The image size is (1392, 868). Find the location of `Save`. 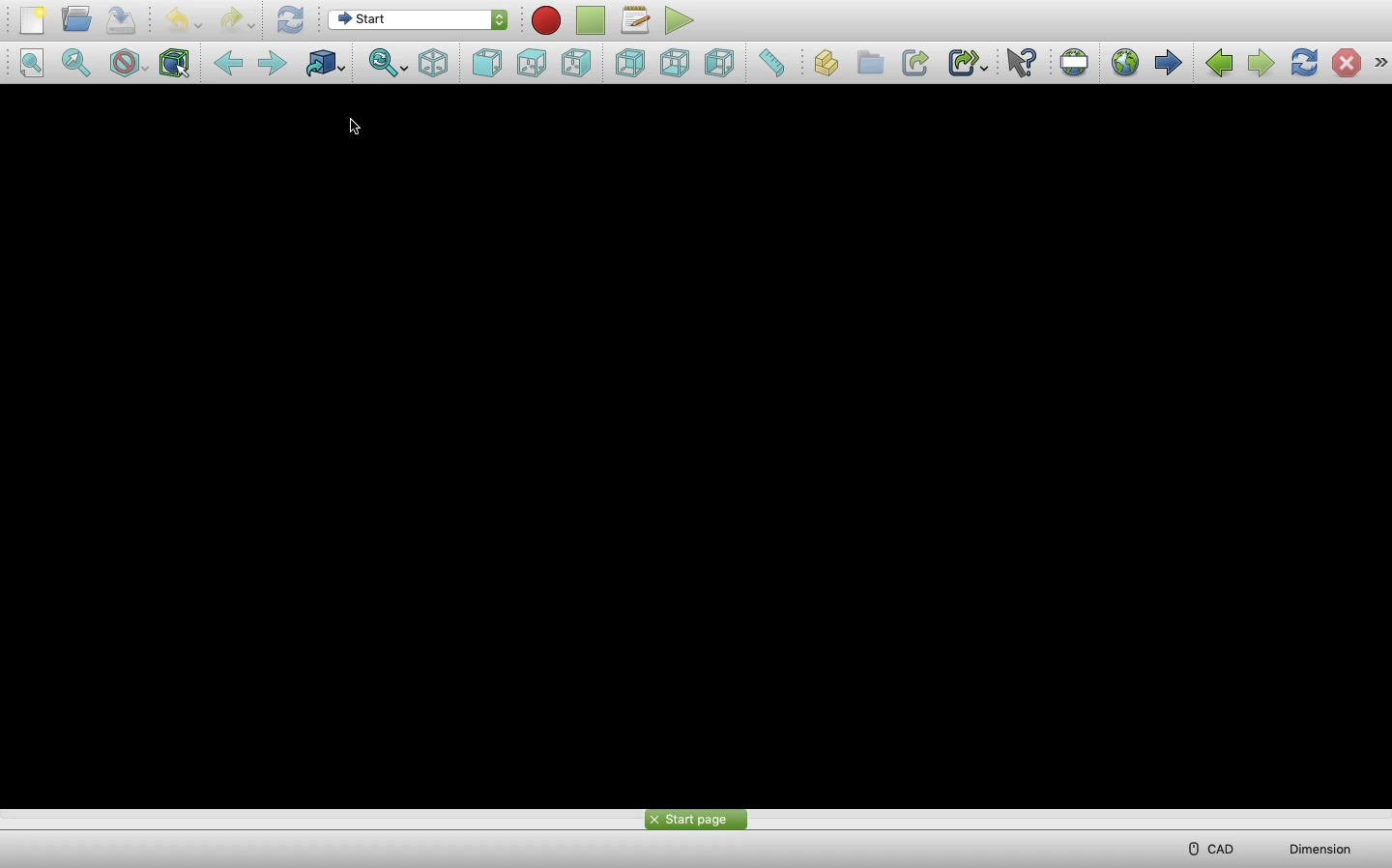

Save is located at coordinates (121, 19).